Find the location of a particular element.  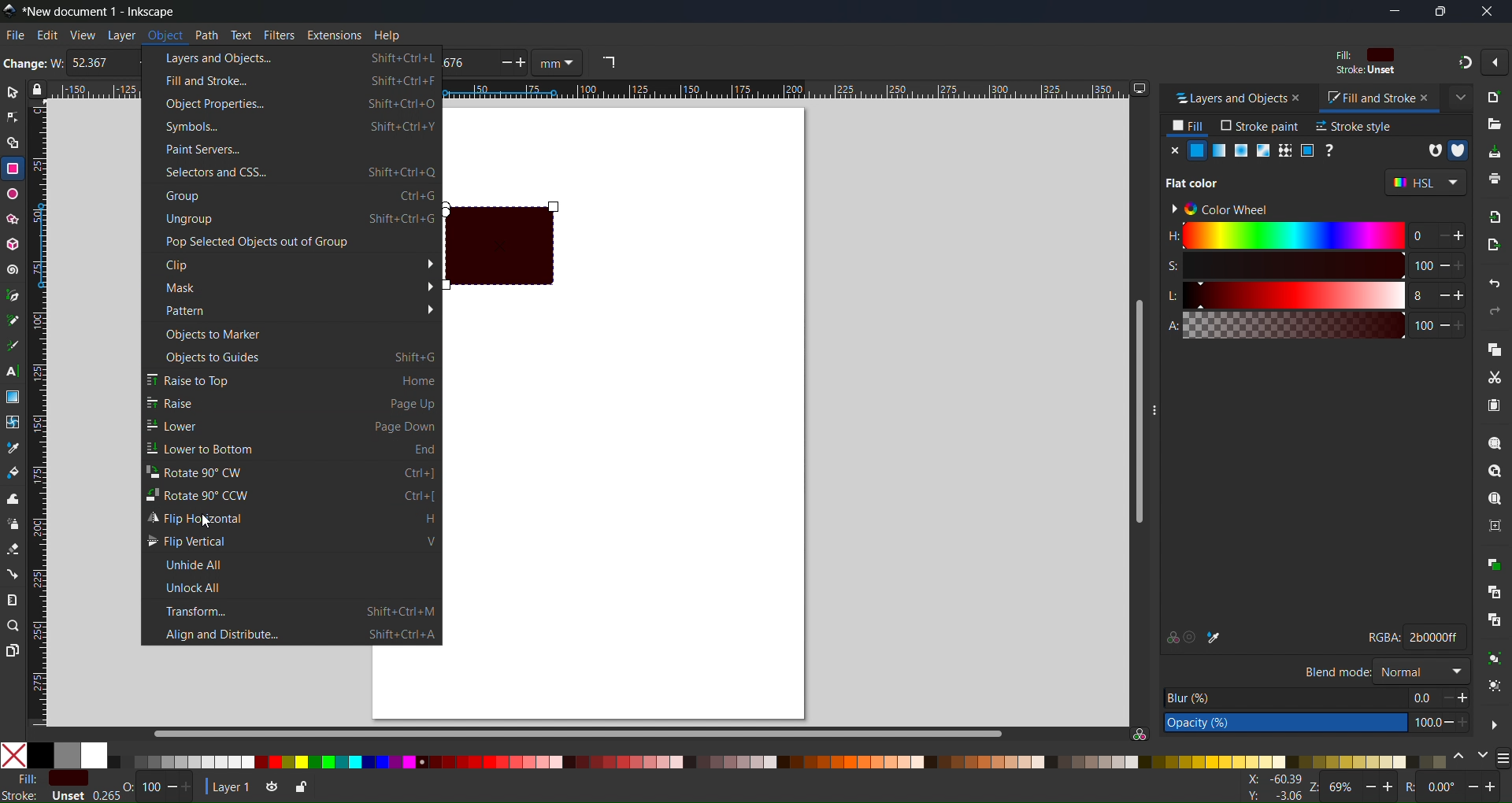

edit Blur percentage is located at coordinates (1284, 697).